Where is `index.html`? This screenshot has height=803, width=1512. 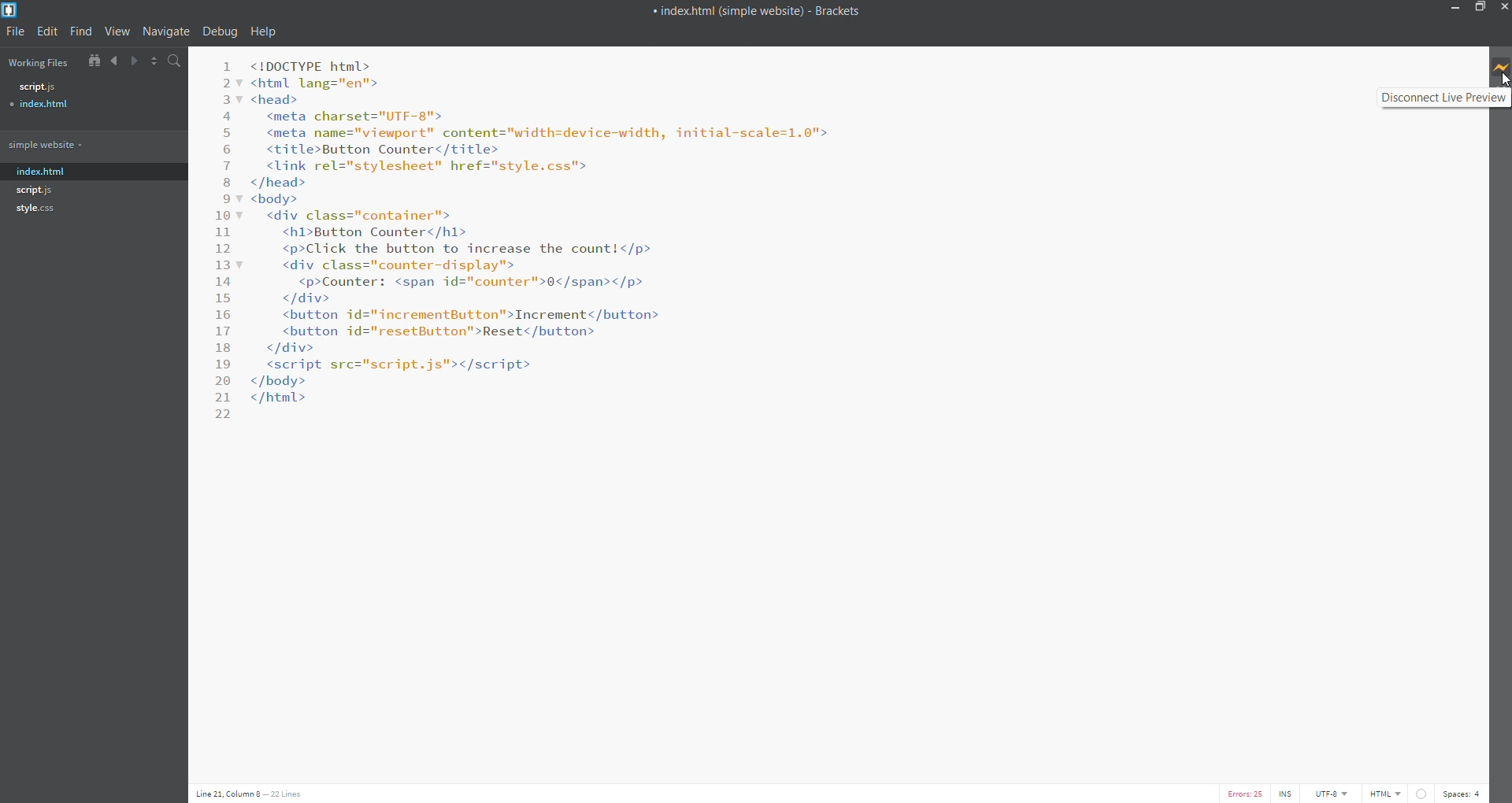
index.html is located at coordinates (49, 168).